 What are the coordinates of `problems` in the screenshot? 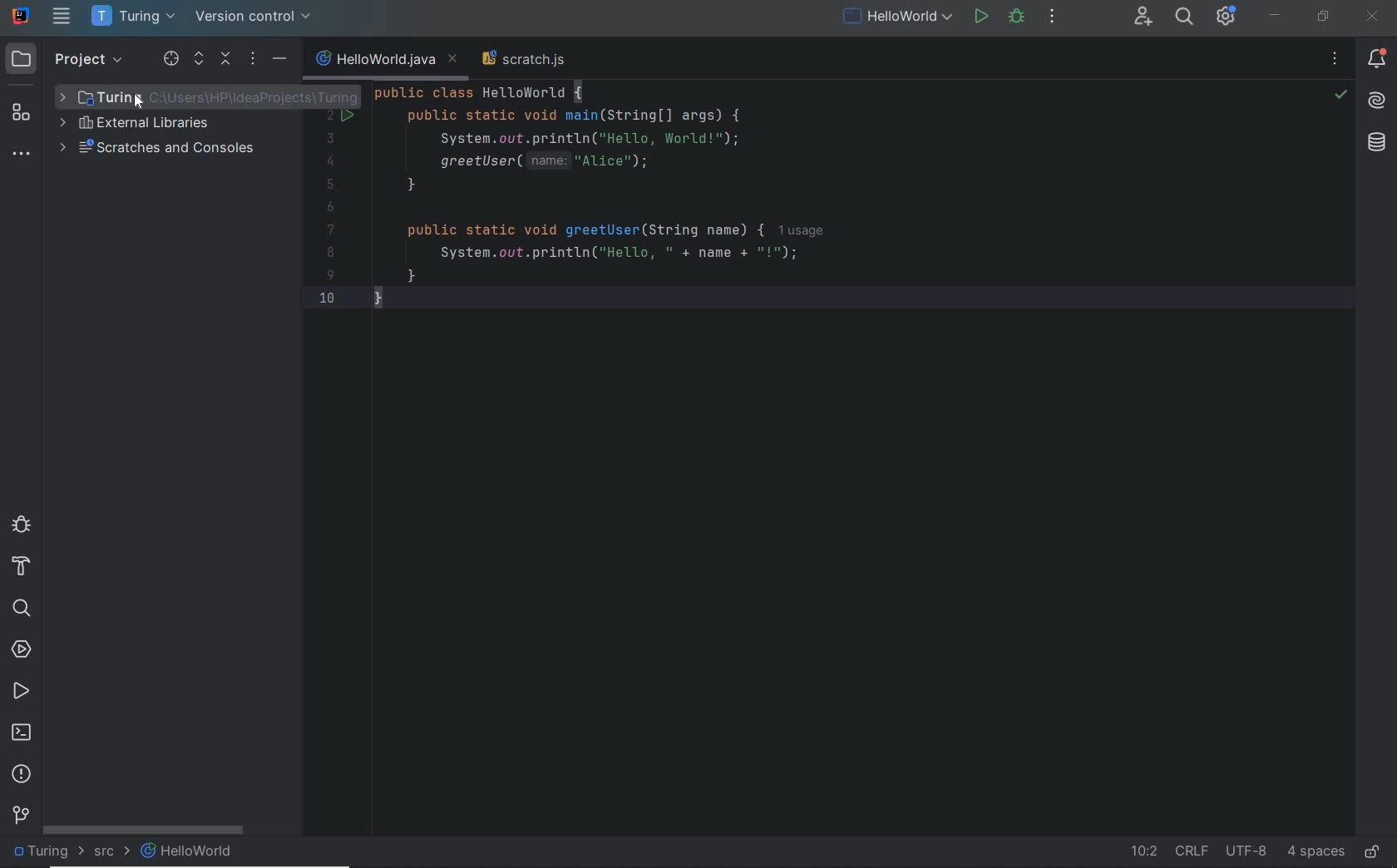 It's located at (22, 775).